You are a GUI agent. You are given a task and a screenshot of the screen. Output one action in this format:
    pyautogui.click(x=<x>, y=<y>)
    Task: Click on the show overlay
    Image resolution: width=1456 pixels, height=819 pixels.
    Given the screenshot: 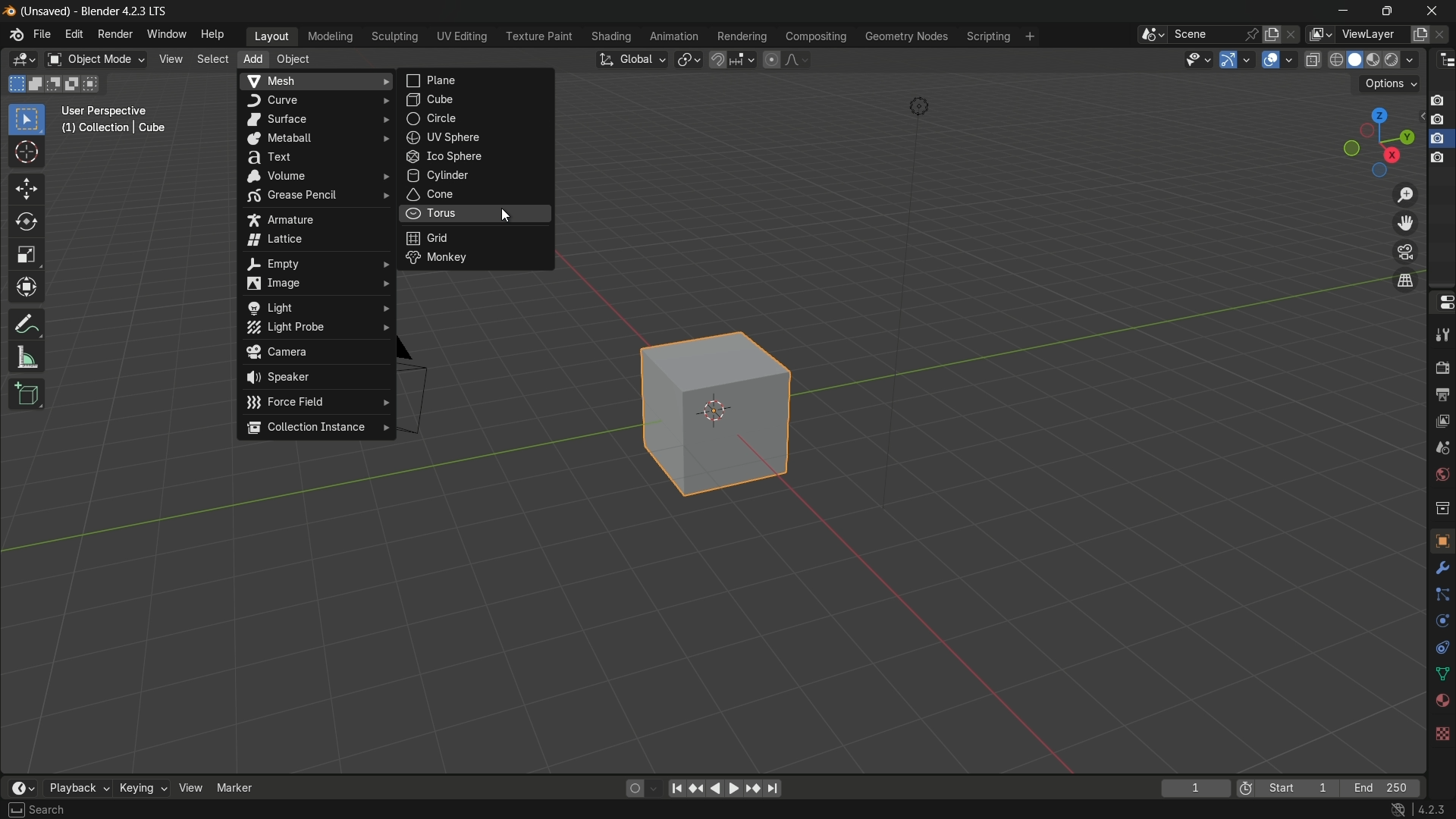 What is the action you would take?
    pyautogui.click(x=1270, y=60)
    